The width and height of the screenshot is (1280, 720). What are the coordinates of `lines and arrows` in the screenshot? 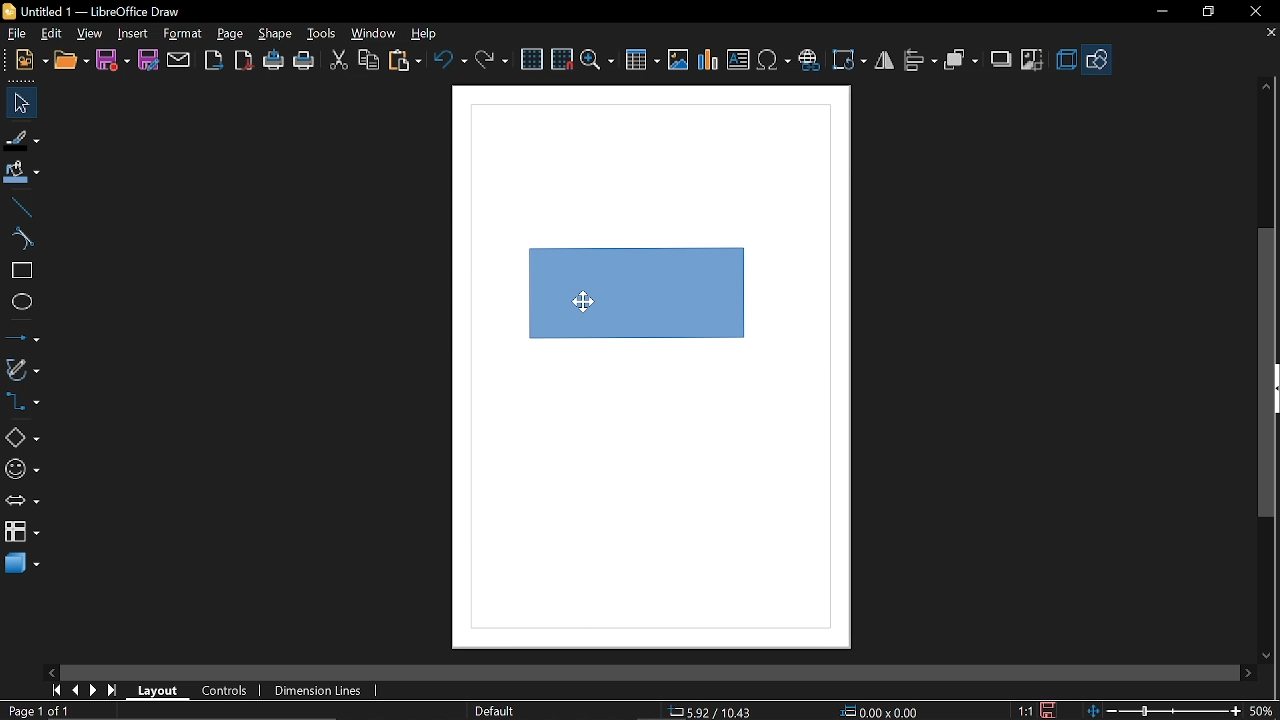 It's located at (22, 339).